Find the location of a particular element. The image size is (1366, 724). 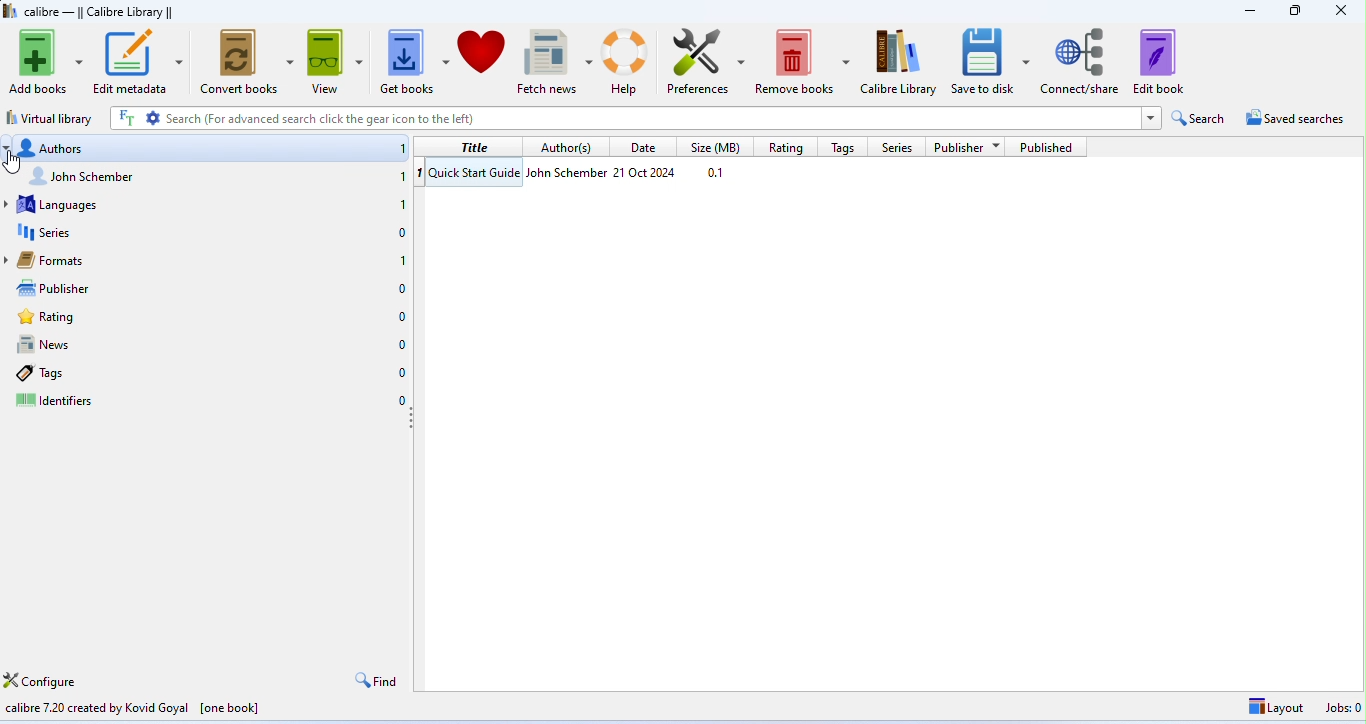

maximize is located at coordinates (1293, 13).